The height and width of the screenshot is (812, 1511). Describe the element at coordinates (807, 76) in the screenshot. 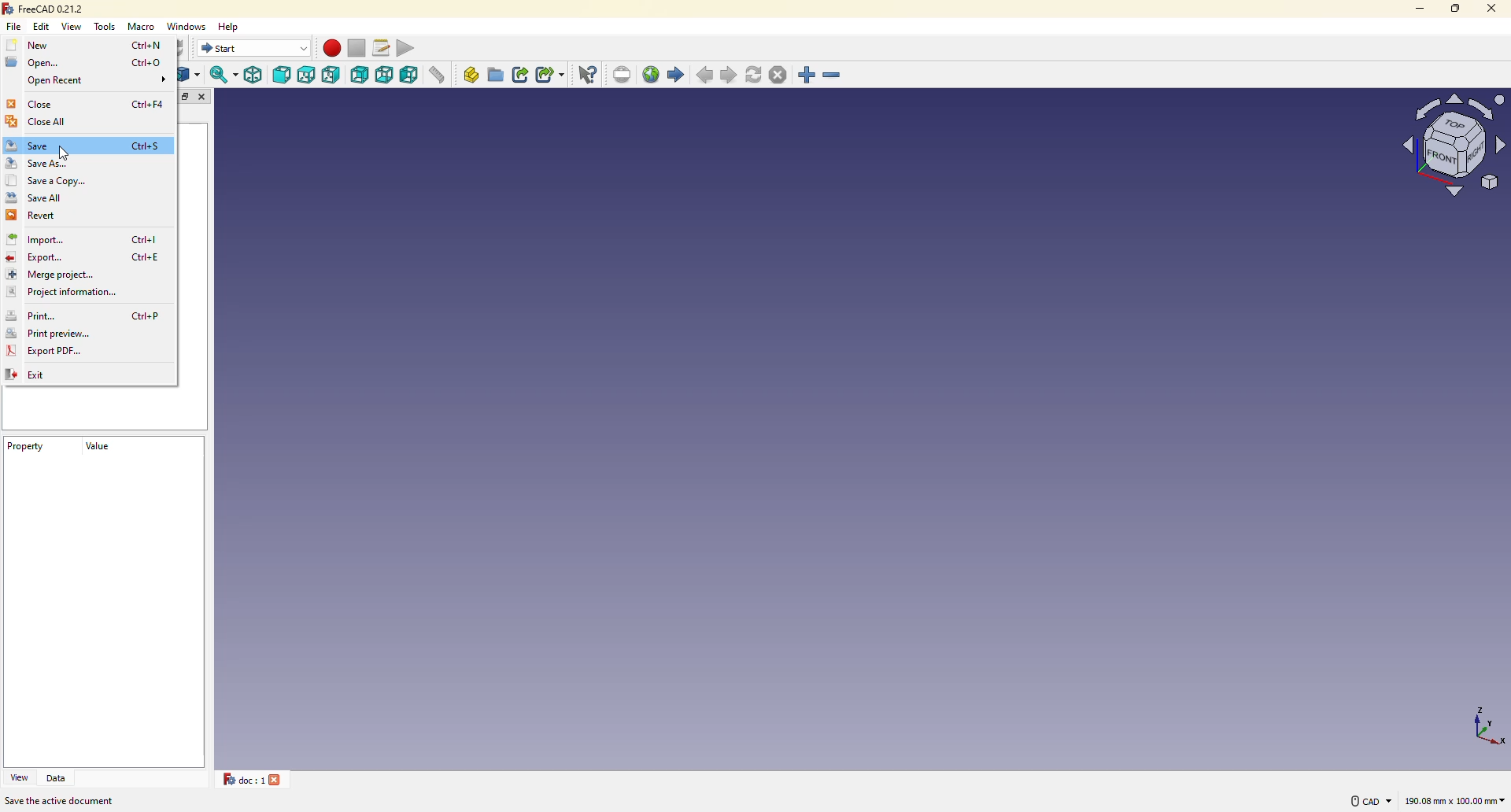

I see `zoom in` at that location.